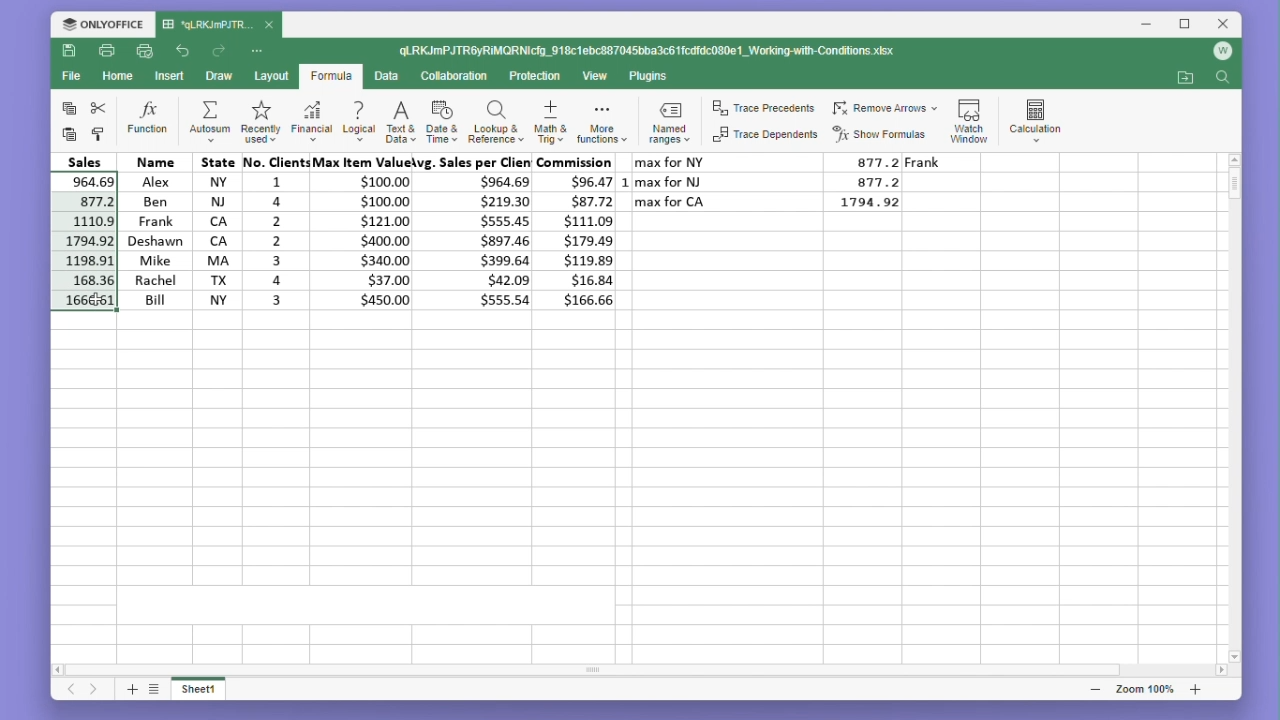 This screenshot has width=1280, height=720. What do you see at coordinates (770, 181) in the screenshot?
I see `max for NJ 877.2` at bounding box center [770, 181].